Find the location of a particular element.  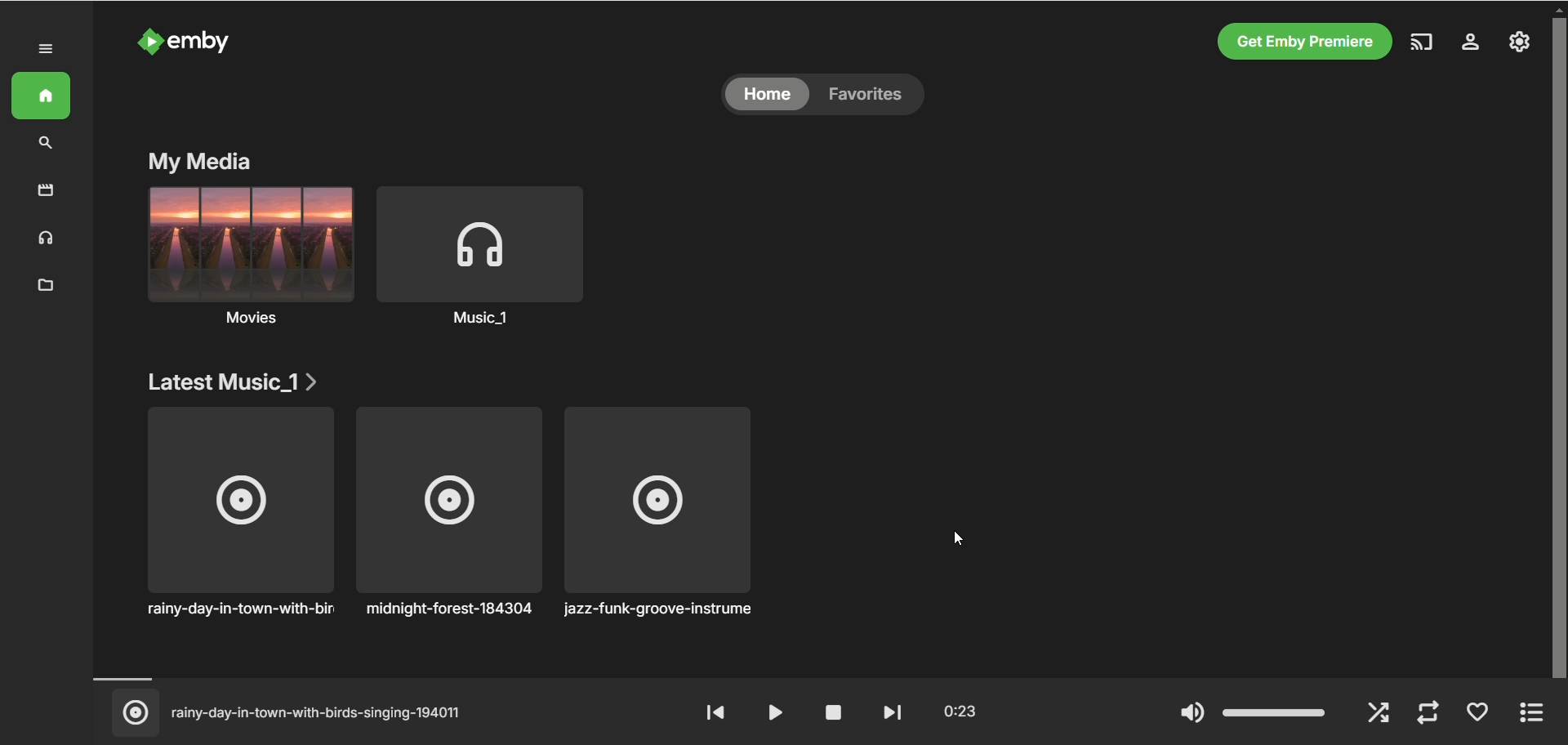

midnight-forest-184304 is located at coordinates (448, 512).